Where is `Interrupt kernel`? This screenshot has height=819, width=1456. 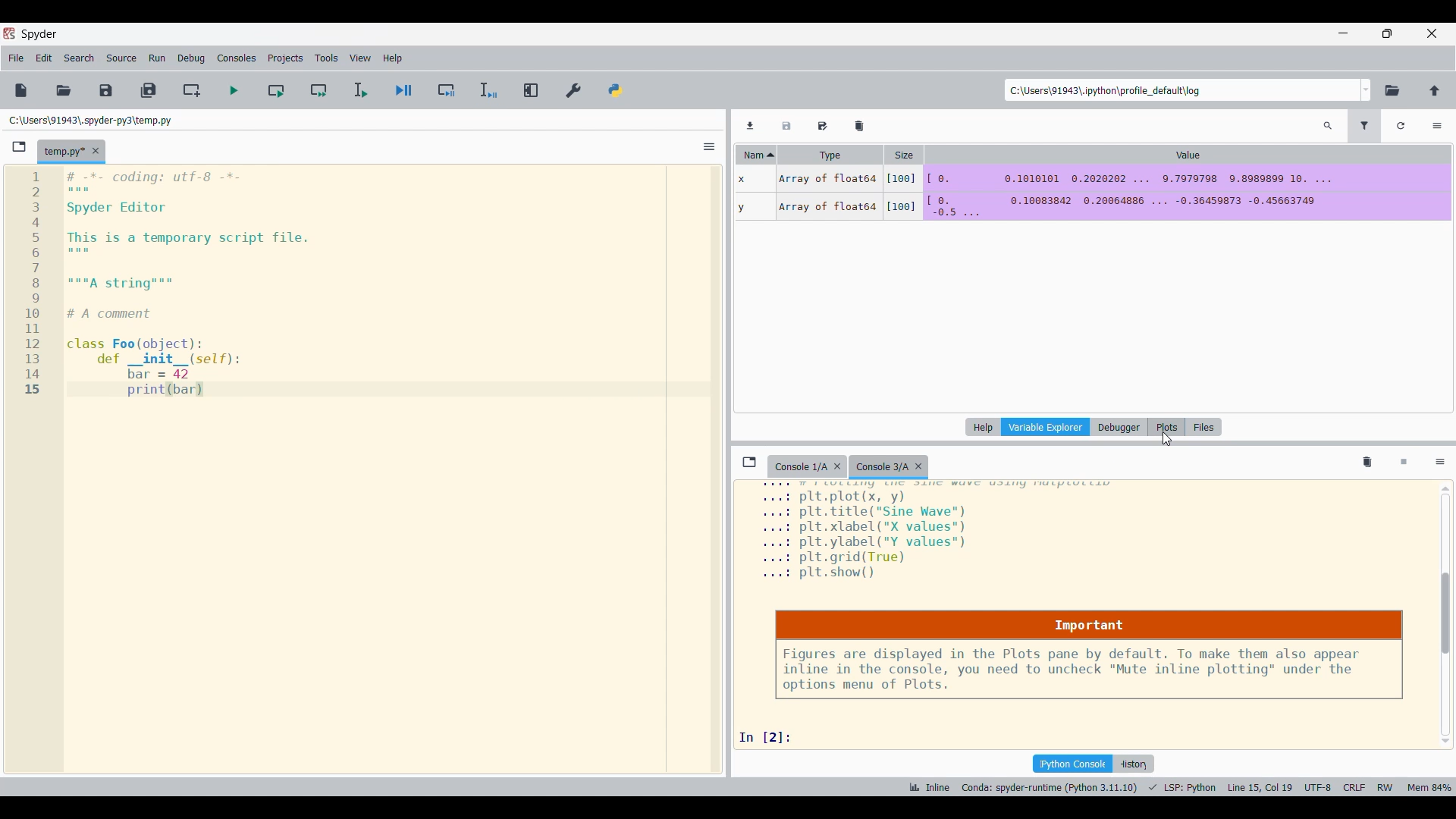 Interrupt kernel is located at coordinates (1404, 463).